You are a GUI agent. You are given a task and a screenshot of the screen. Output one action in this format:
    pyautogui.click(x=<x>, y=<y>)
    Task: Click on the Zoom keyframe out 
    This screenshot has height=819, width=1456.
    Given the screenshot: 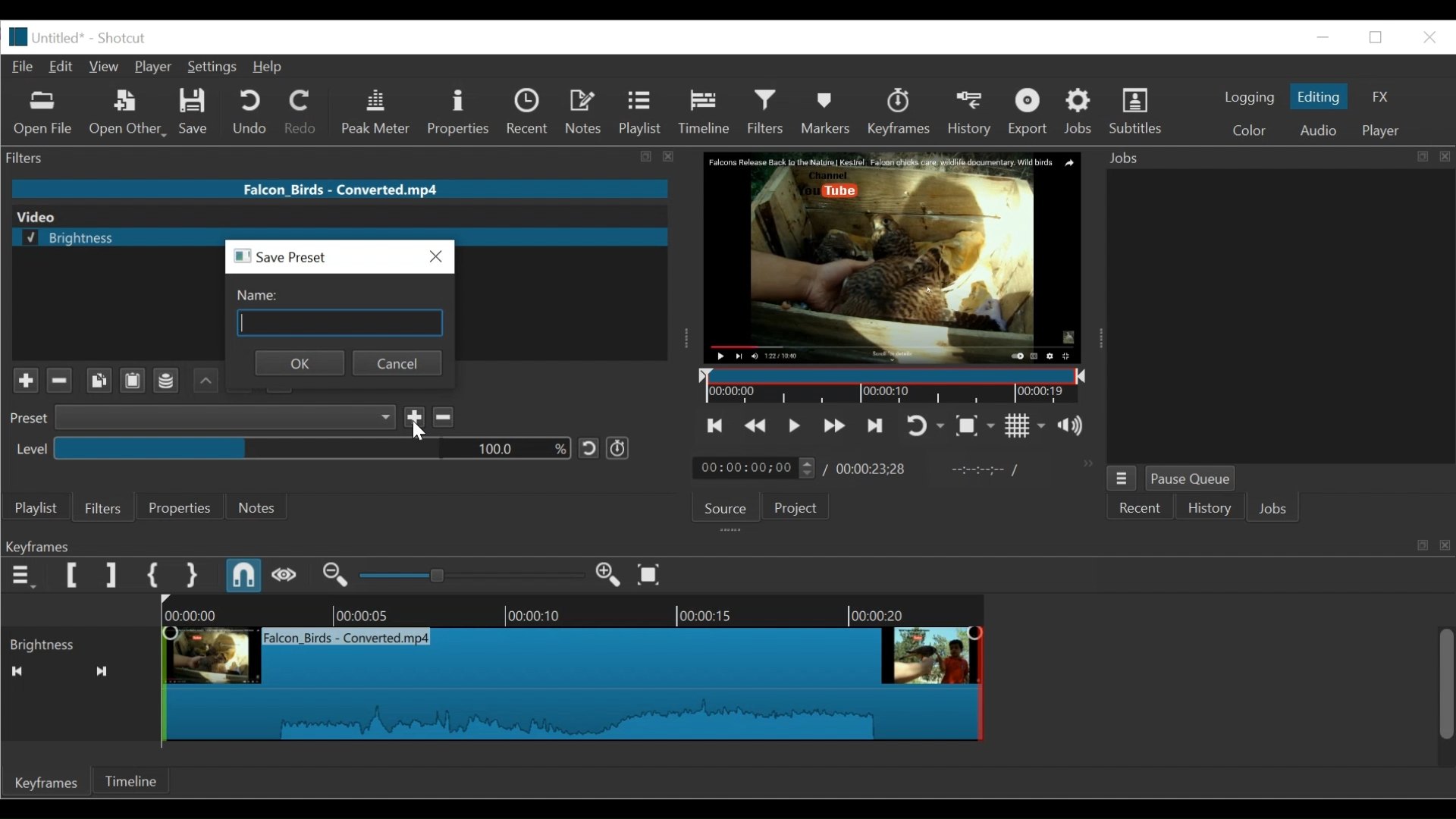 What is the action you would take?
    pyautogui.click(x=610, y=576)
    